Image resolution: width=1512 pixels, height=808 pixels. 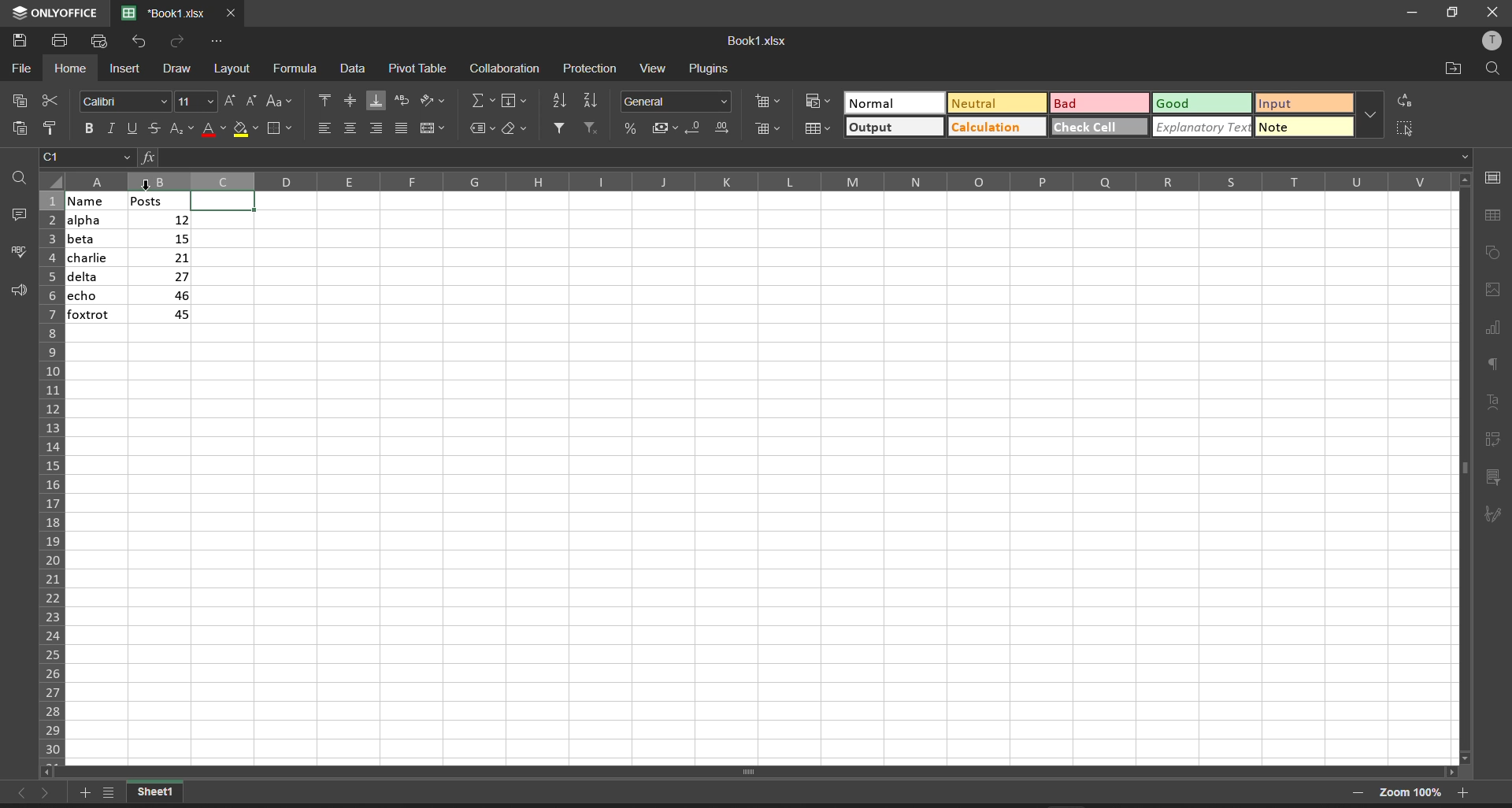 What do you see at coordinates (88, 157) in the screenshot?
I see `cell address` at bounding box center [88, 157].